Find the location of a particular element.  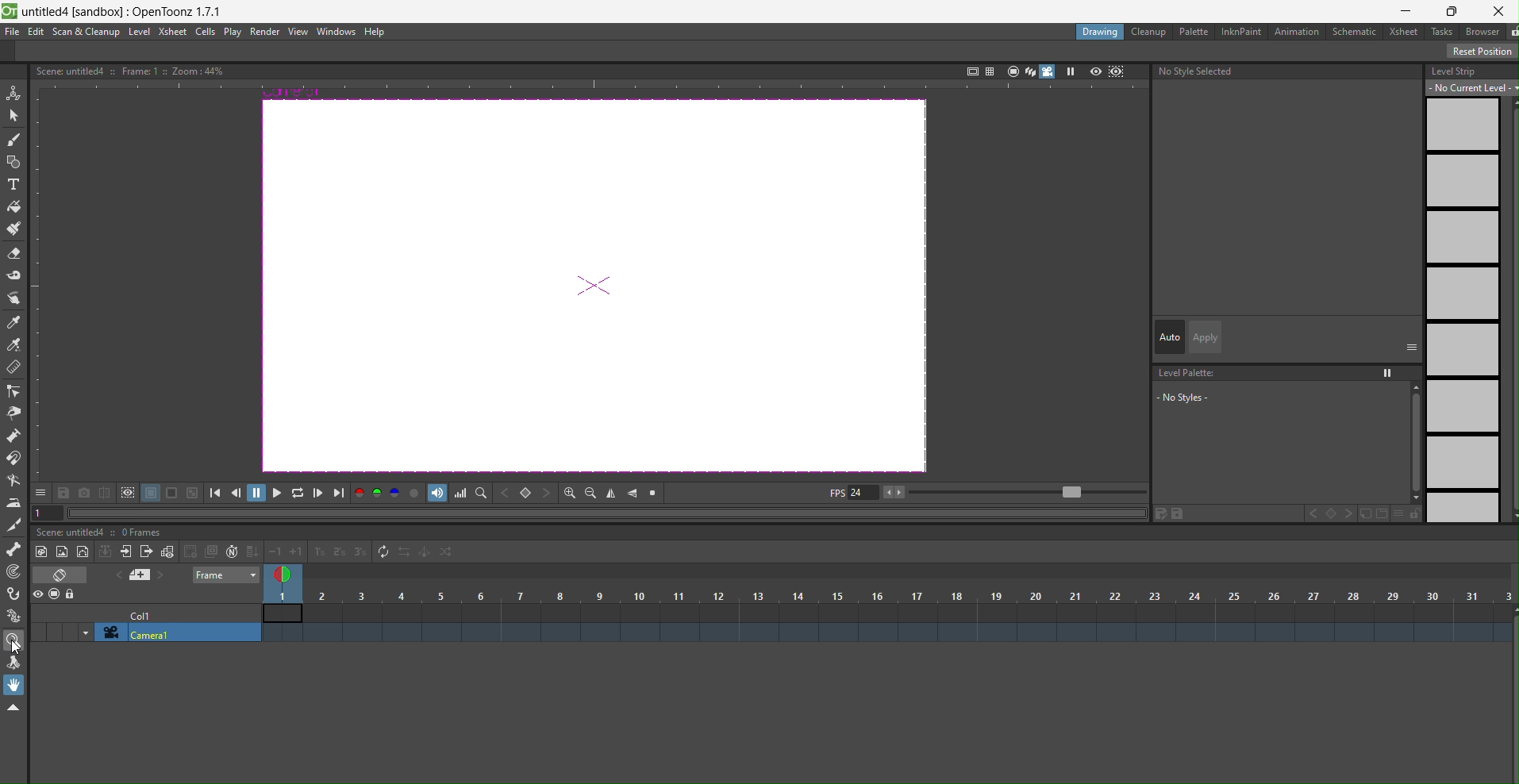

brush tool is located at coordinates (15, 140).